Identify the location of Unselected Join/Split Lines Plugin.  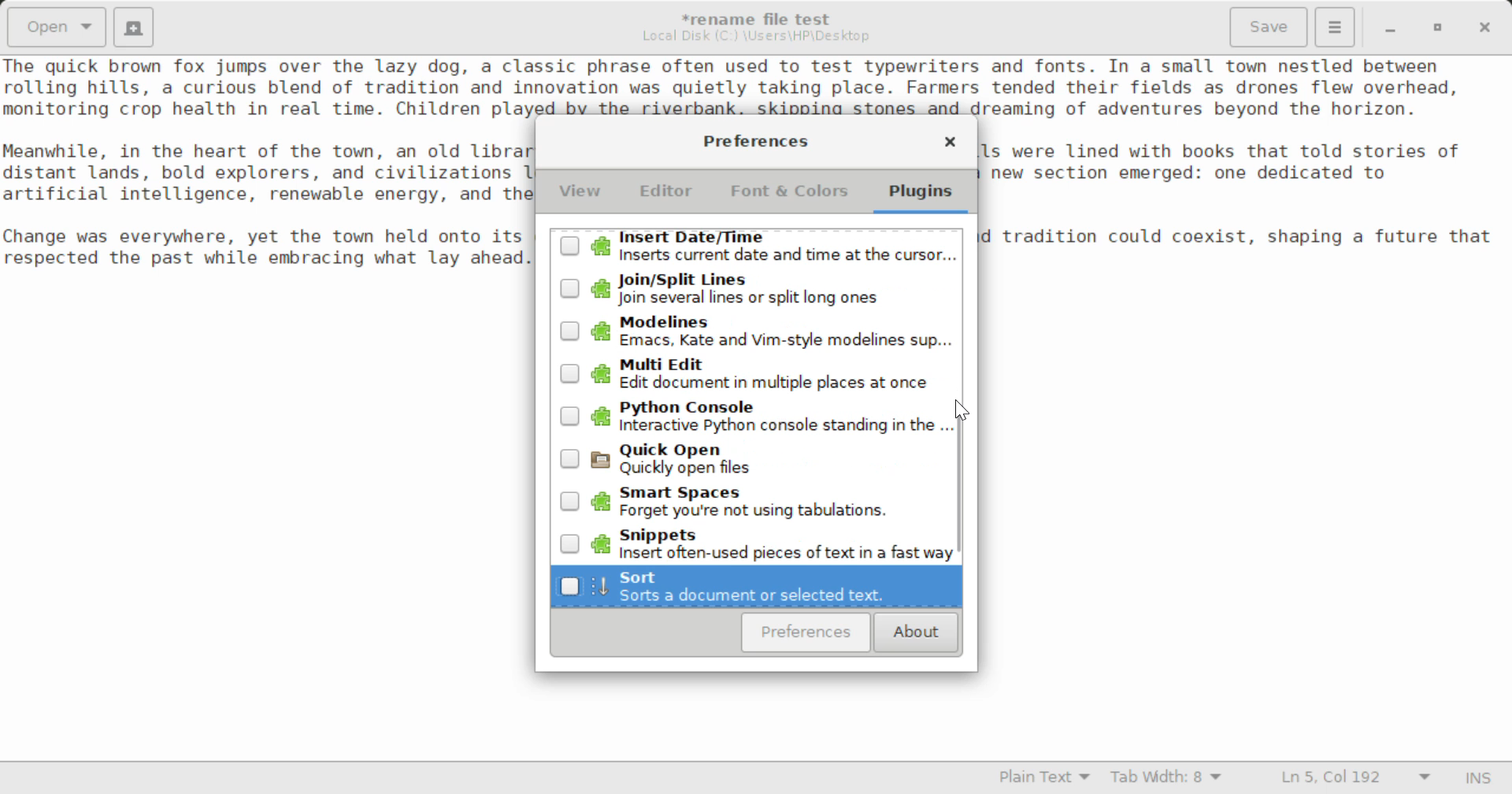
(754, 291).